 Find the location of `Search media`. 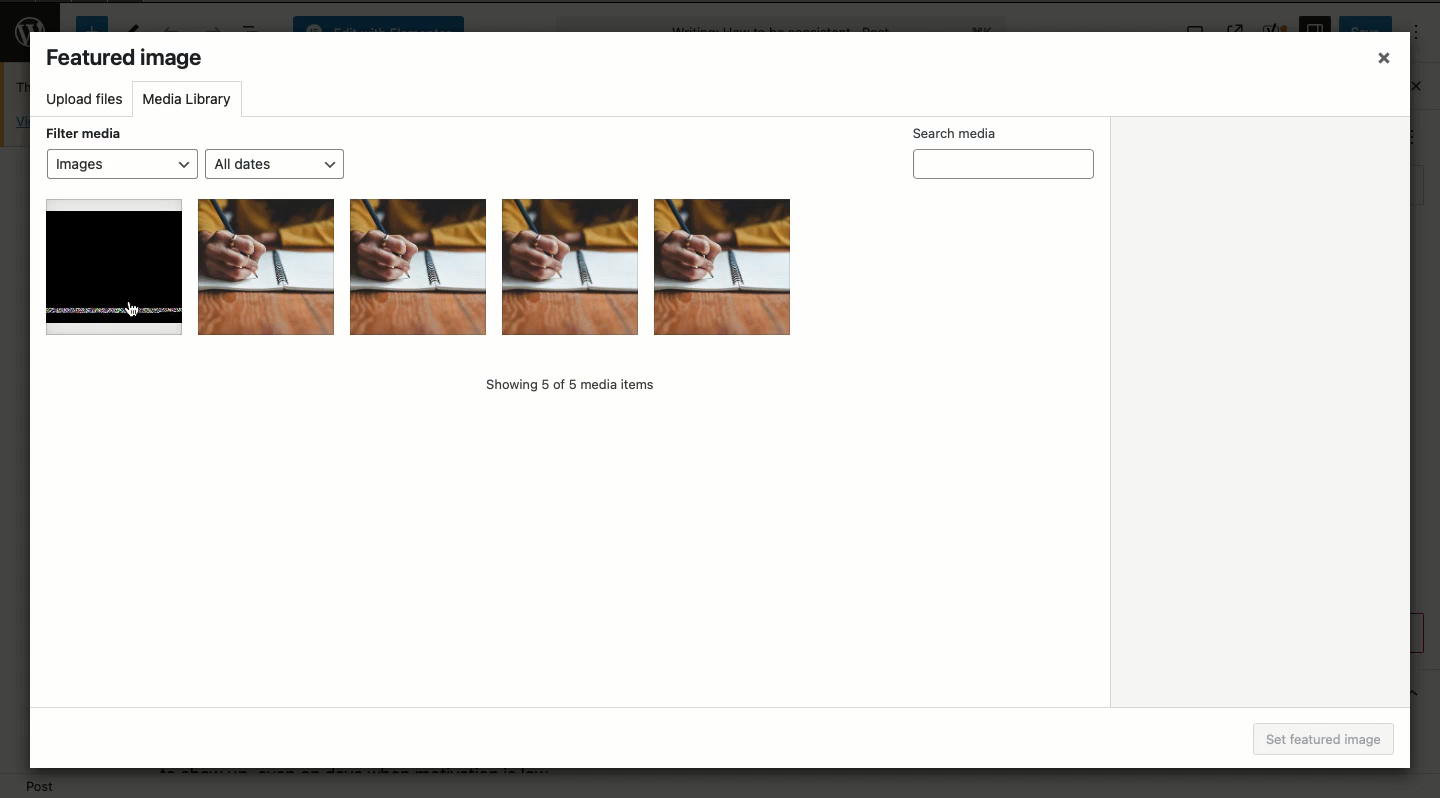

Search media is located at coordinates (998, 154).